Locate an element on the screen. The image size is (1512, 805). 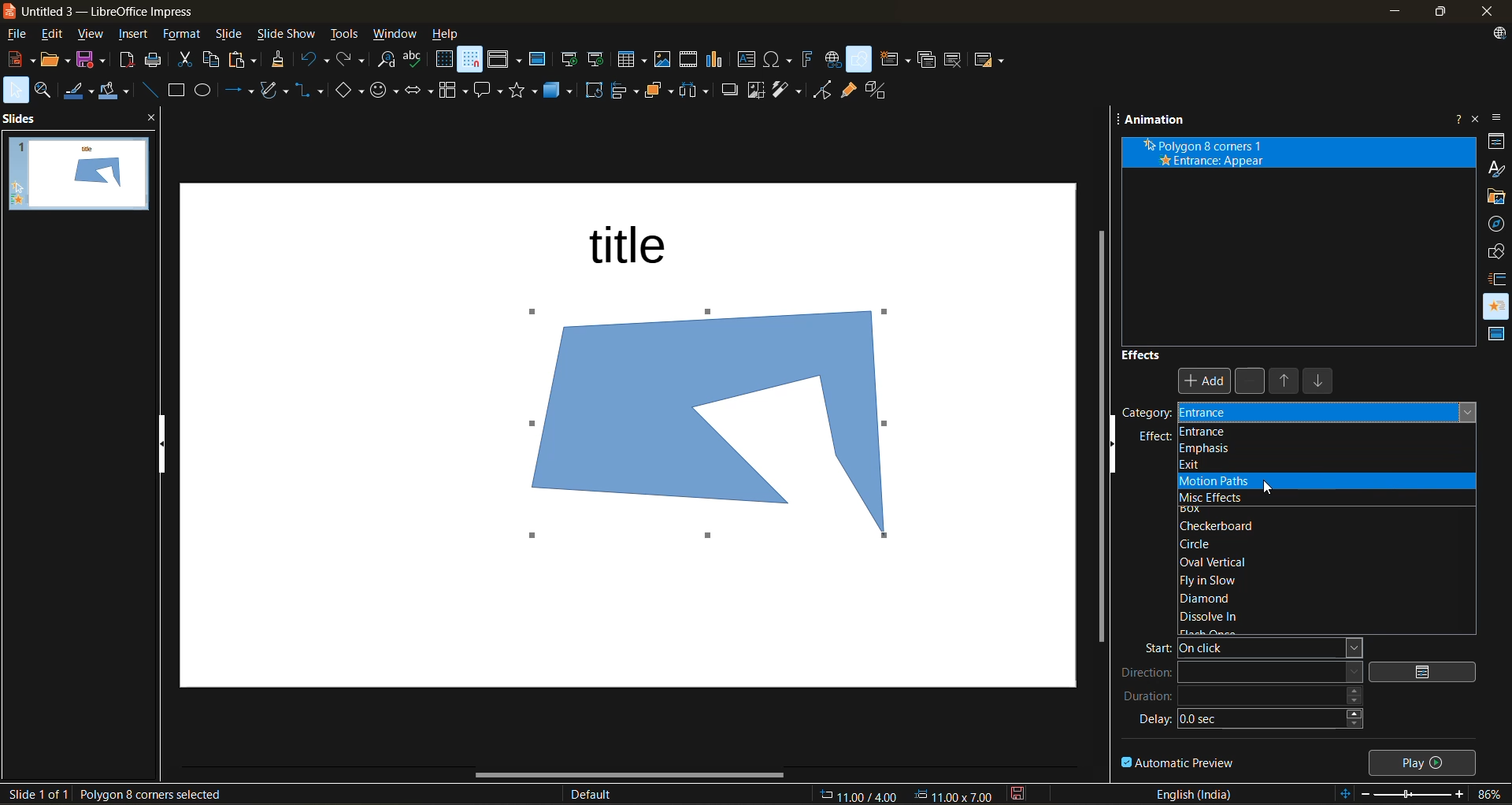
automatic preview is located at coordinates (1180, 762).